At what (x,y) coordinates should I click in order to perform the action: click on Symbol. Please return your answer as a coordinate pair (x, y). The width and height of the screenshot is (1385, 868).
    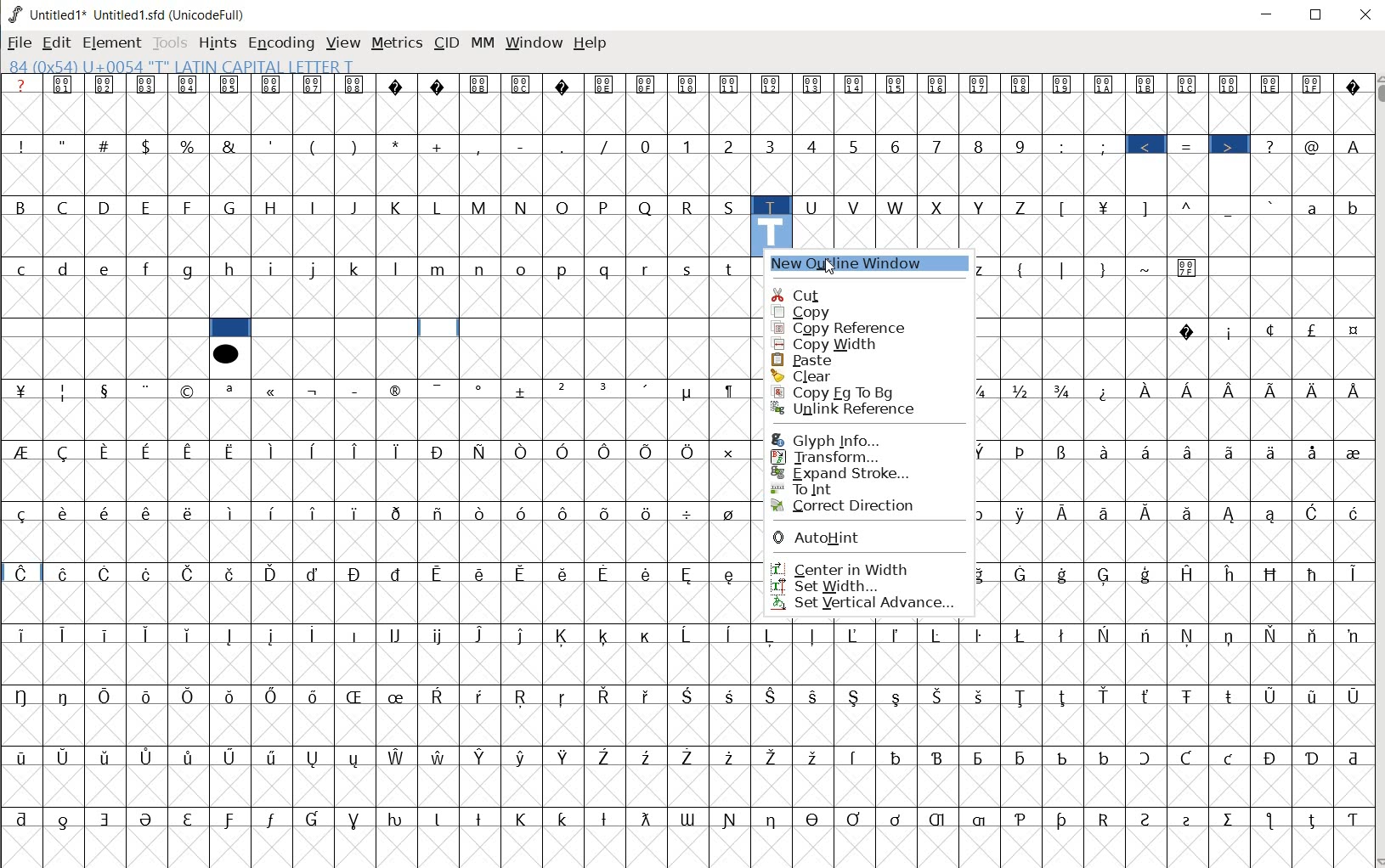
    Looking at the image, I should click on (357, 451).